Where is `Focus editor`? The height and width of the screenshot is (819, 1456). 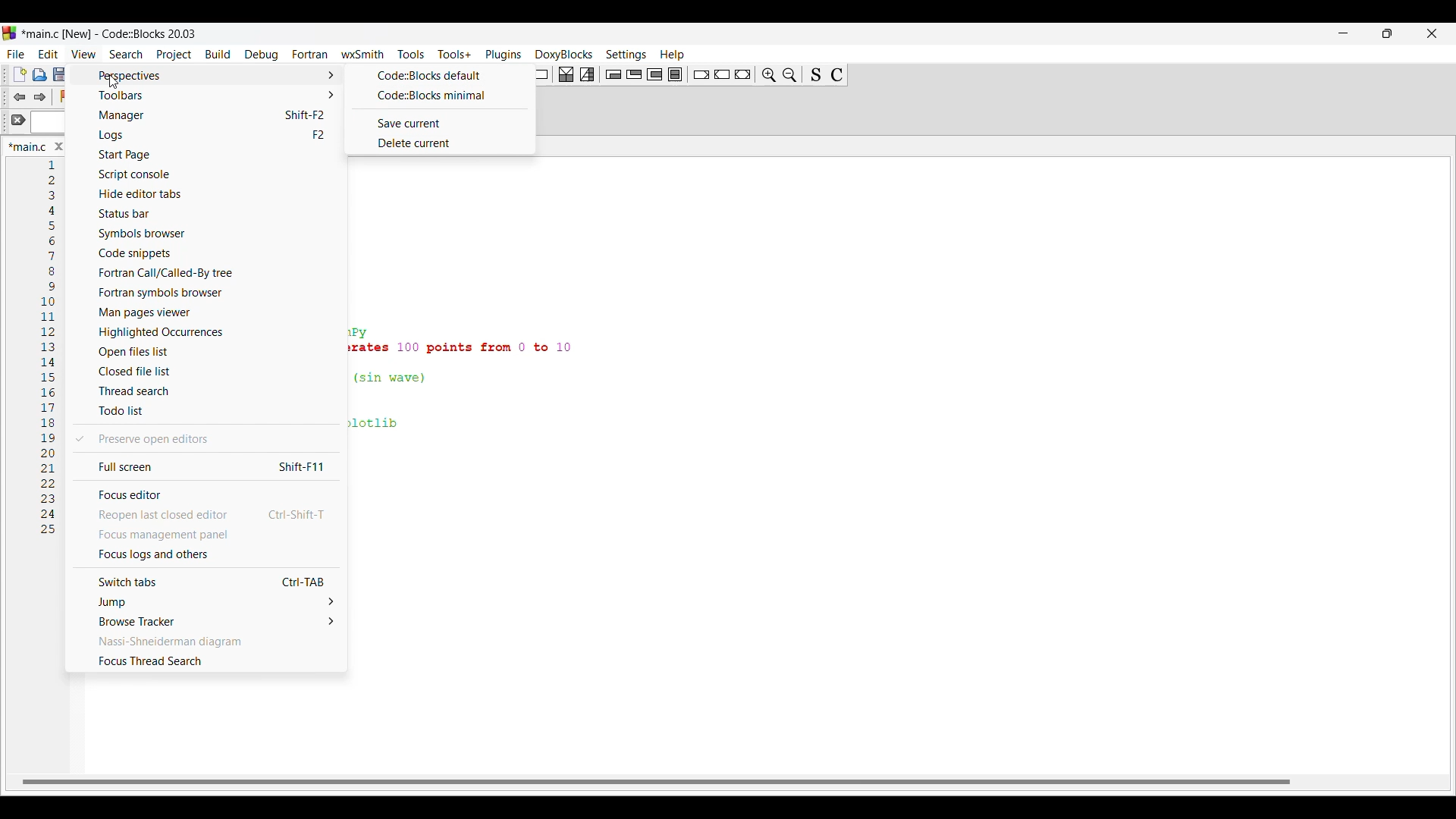 Focus editor is located at coordinates (205, 494).